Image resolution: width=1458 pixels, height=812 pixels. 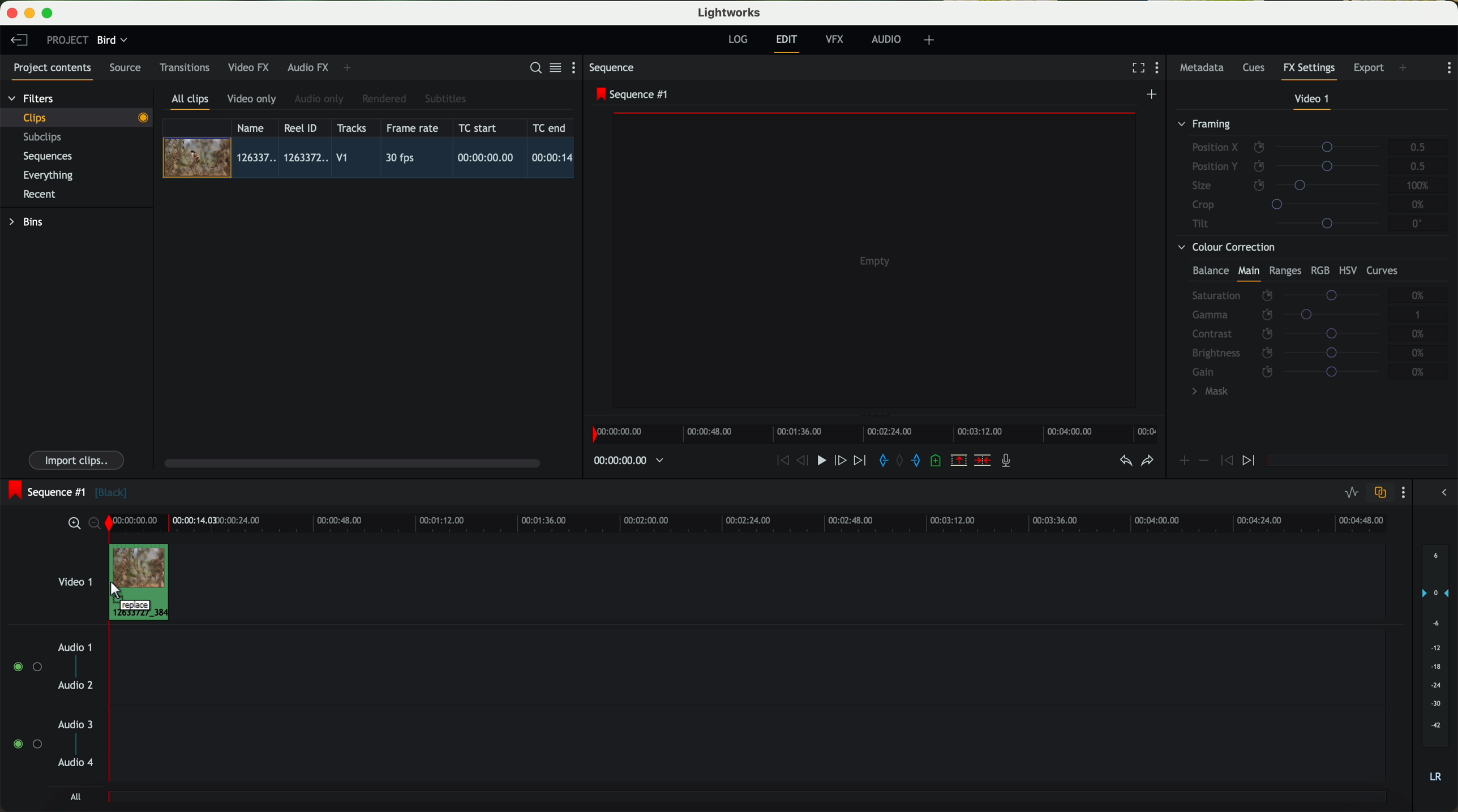 I want to click on icon, so click(x=1183, y=462).